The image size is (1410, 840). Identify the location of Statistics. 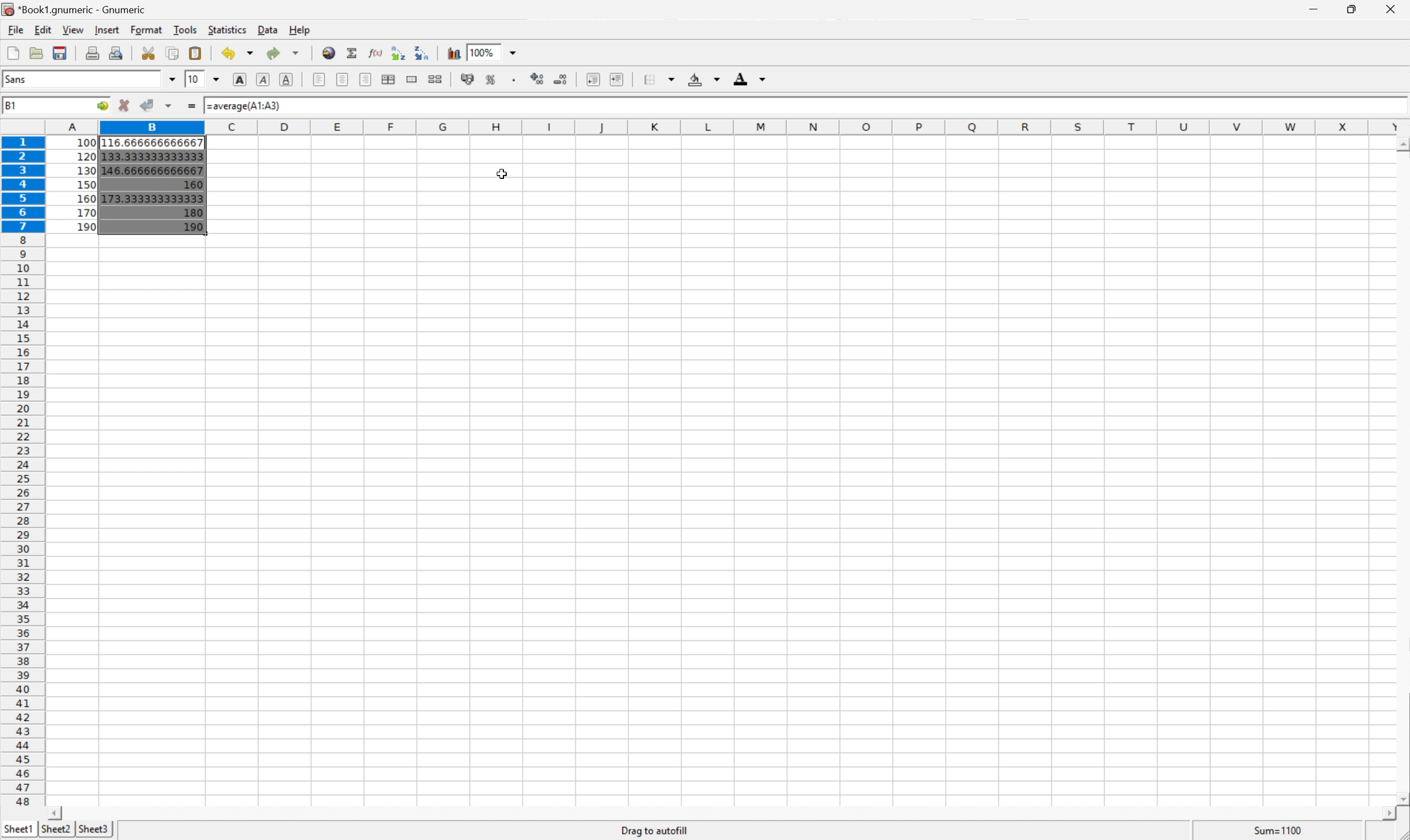
(228, 29).